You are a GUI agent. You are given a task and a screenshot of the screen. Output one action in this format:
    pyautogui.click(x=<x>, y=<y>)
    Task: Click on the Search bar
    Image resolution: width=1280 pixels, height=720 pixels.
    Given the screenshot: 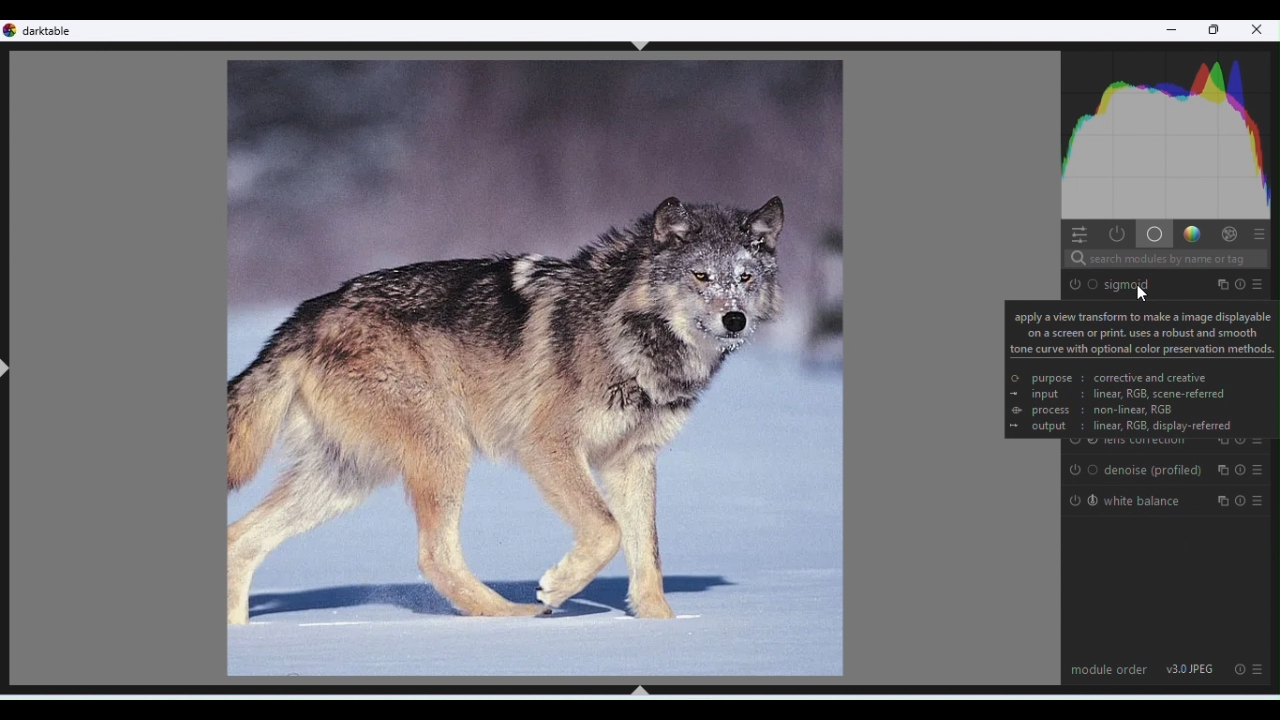 What is the action you would take?
    pyautogui.click(x=1164, y=260)
    